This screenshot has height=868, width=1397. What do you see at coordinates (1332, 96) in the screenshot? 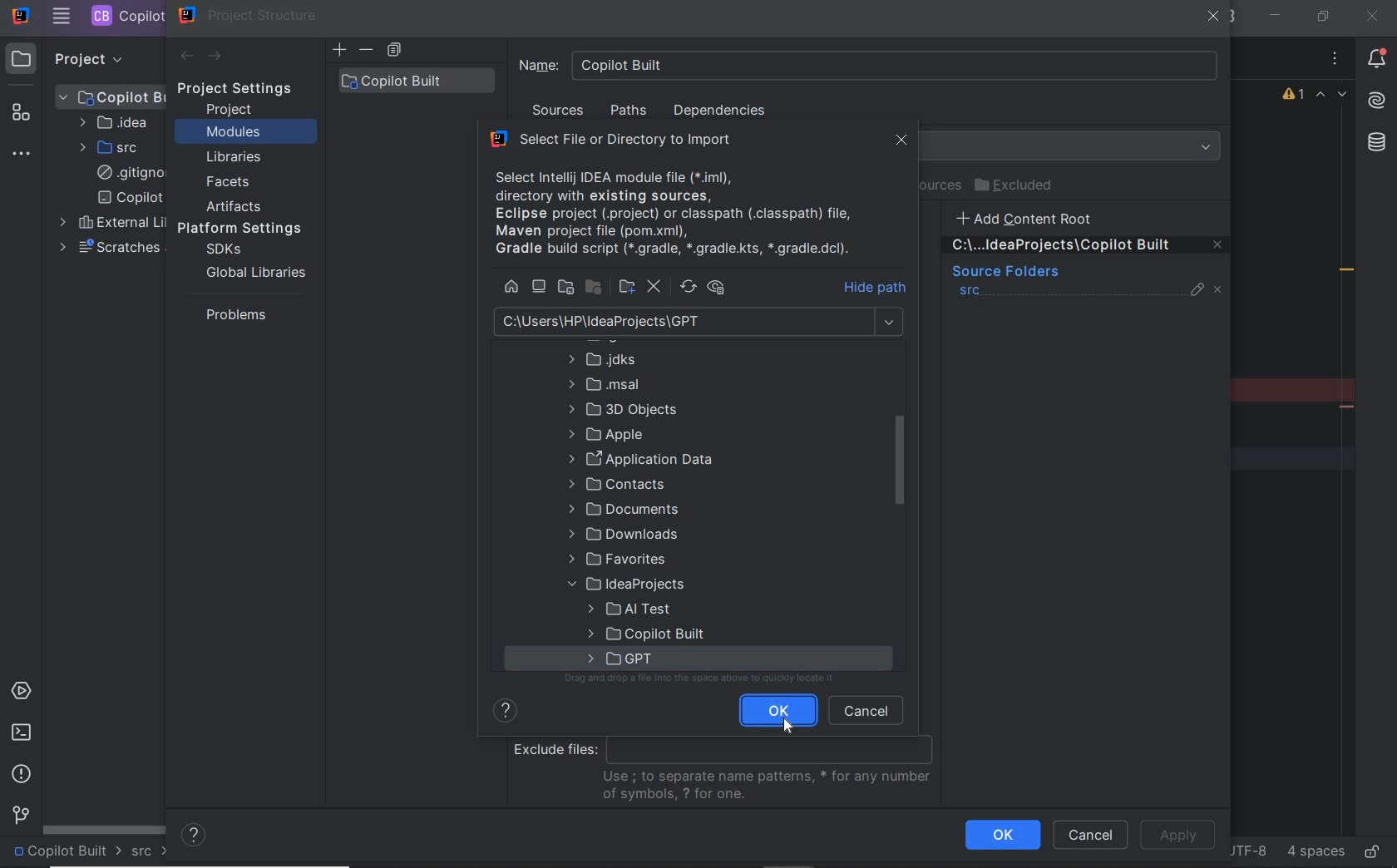
I see `highlighted errors` at bounding box center [1332, 96].